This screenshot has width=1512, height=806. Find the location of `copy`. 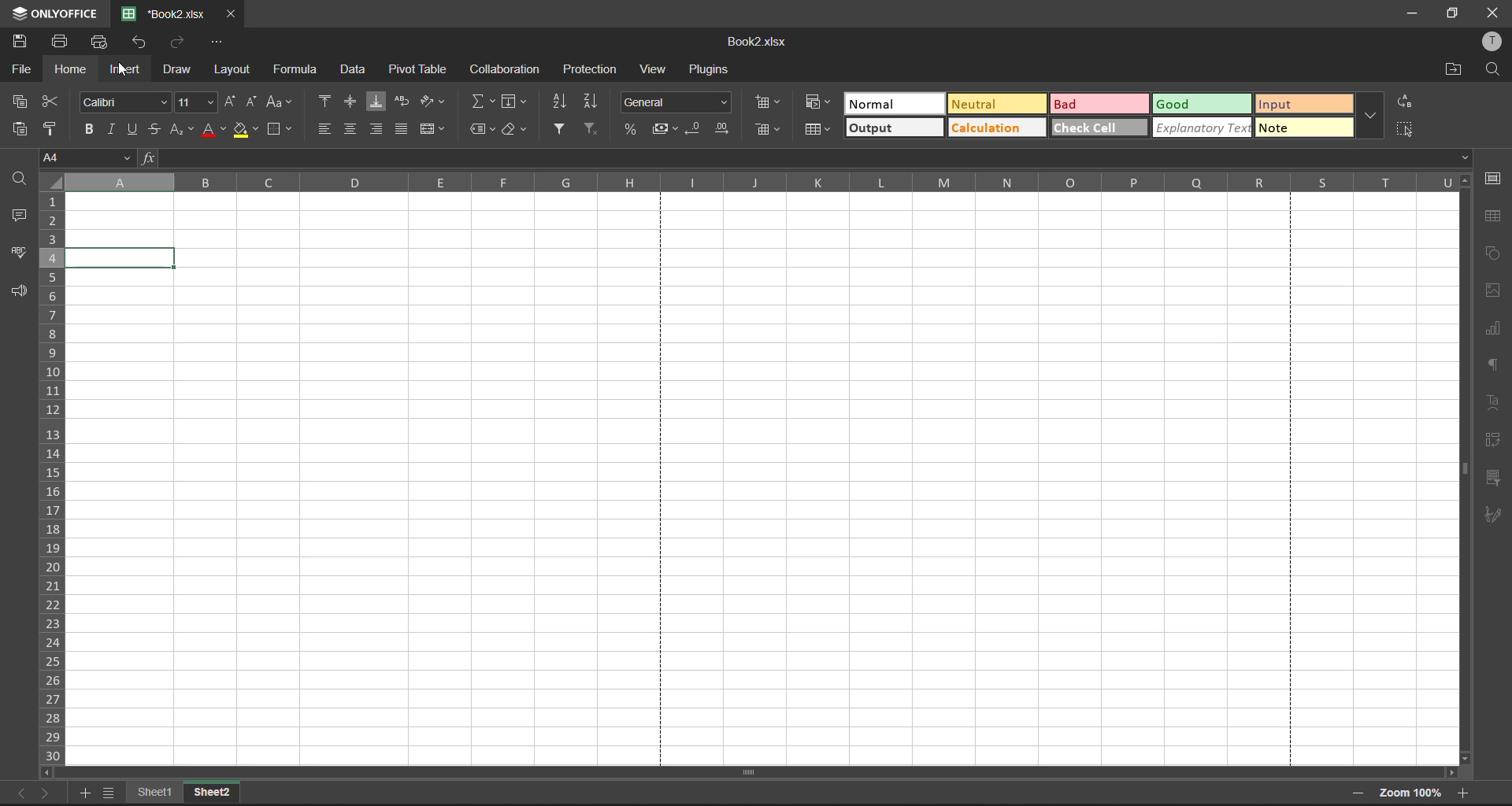

copy is located at coordinates (20, 102).